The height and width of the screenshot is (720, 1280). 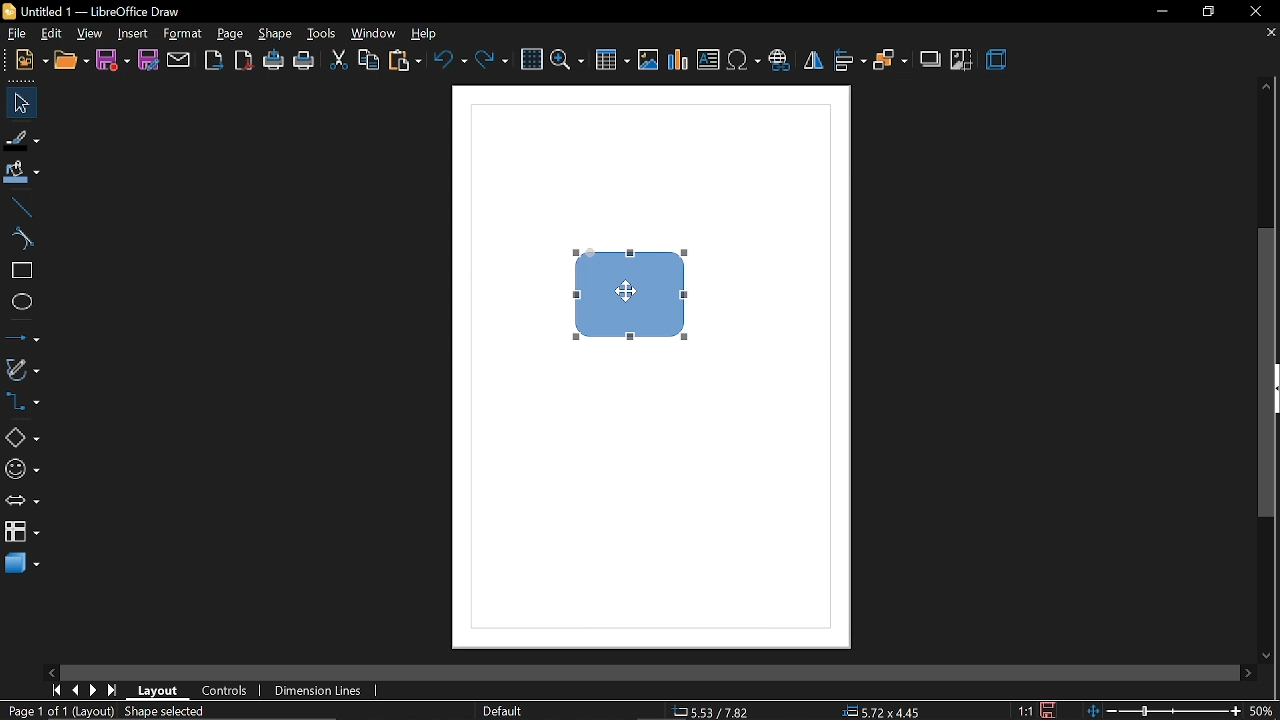 I want to click on redo, so click(x=492, y=62).